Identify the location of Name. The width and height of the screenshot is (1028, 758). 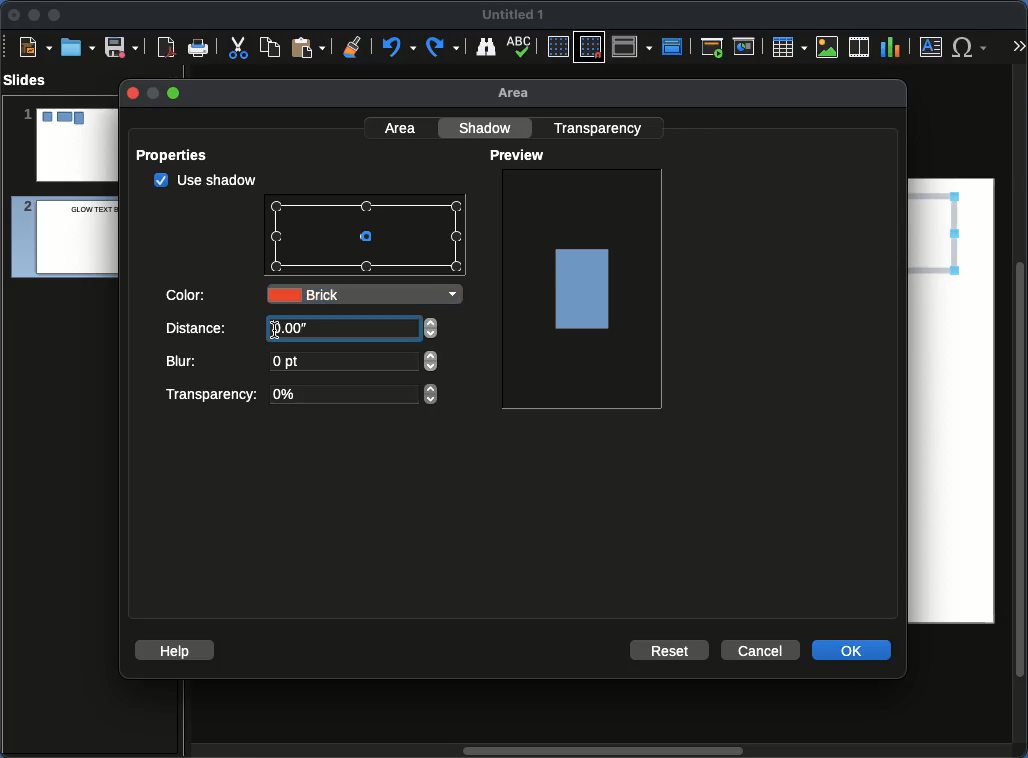
(514, 15).